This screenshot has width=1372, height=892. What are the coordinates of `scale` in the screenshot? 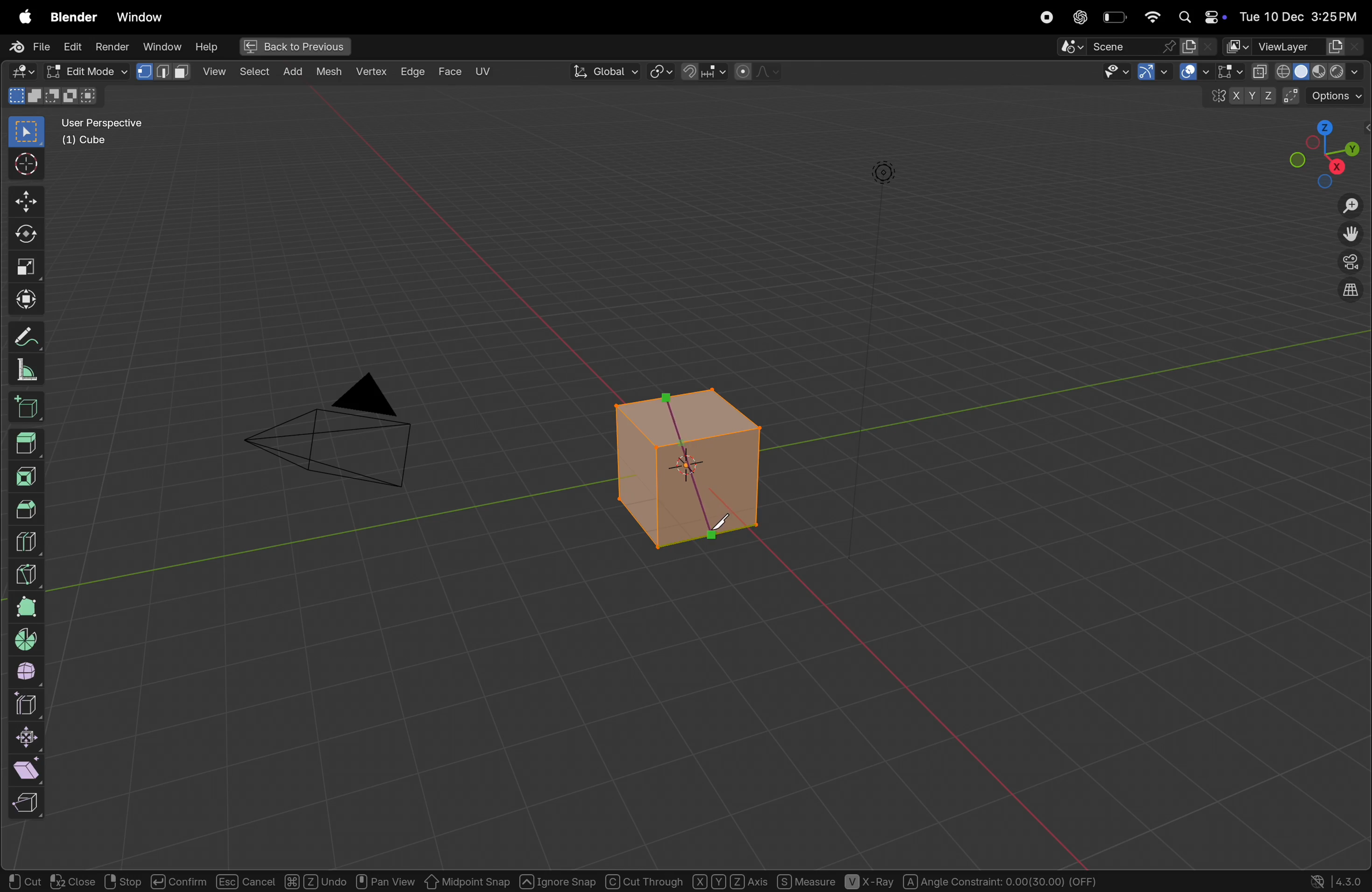 It's located at (22, 269).